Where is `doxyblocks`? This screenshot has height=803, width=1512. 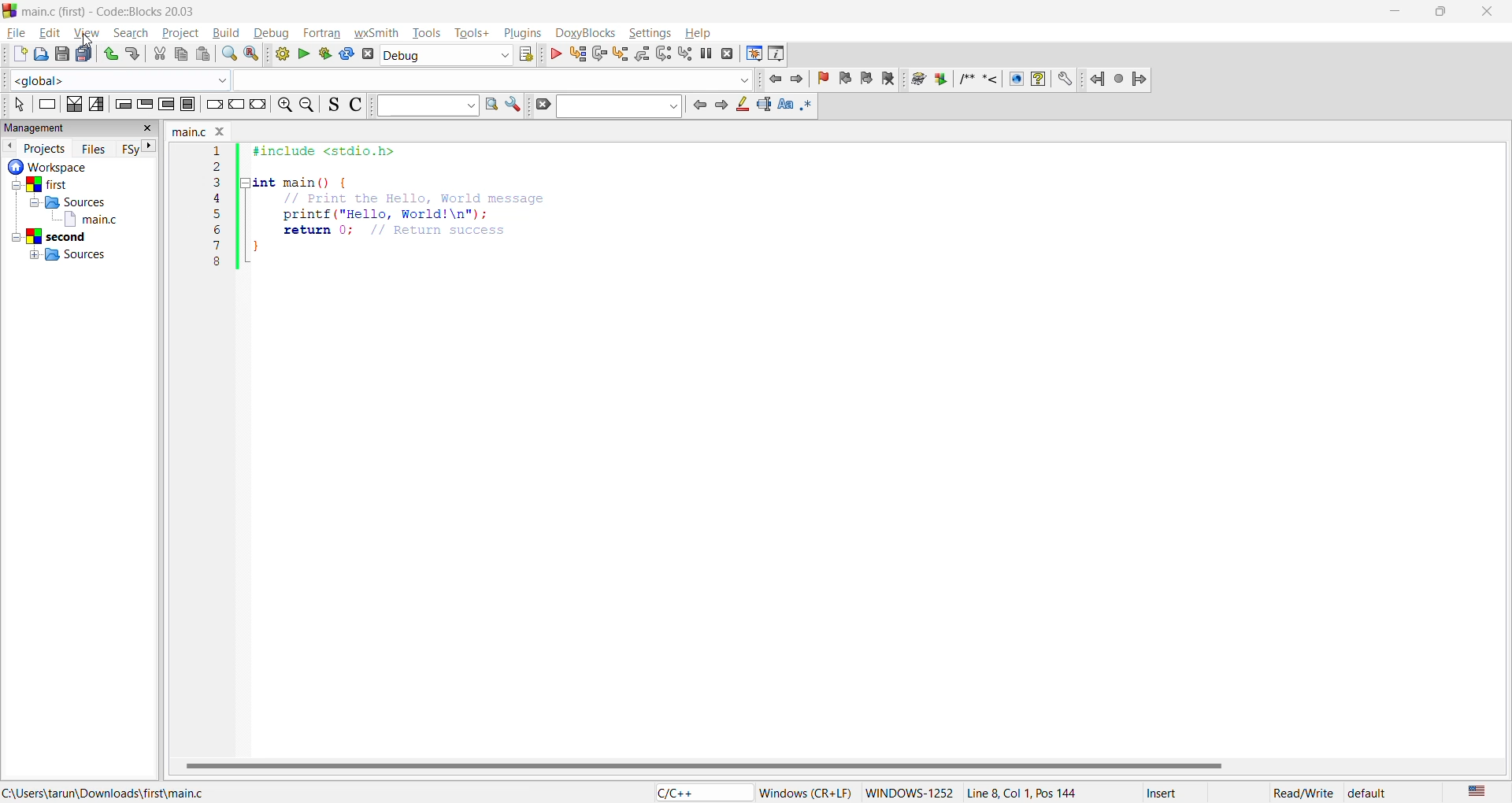 doxyblocks is located at coordinates (584, 33).